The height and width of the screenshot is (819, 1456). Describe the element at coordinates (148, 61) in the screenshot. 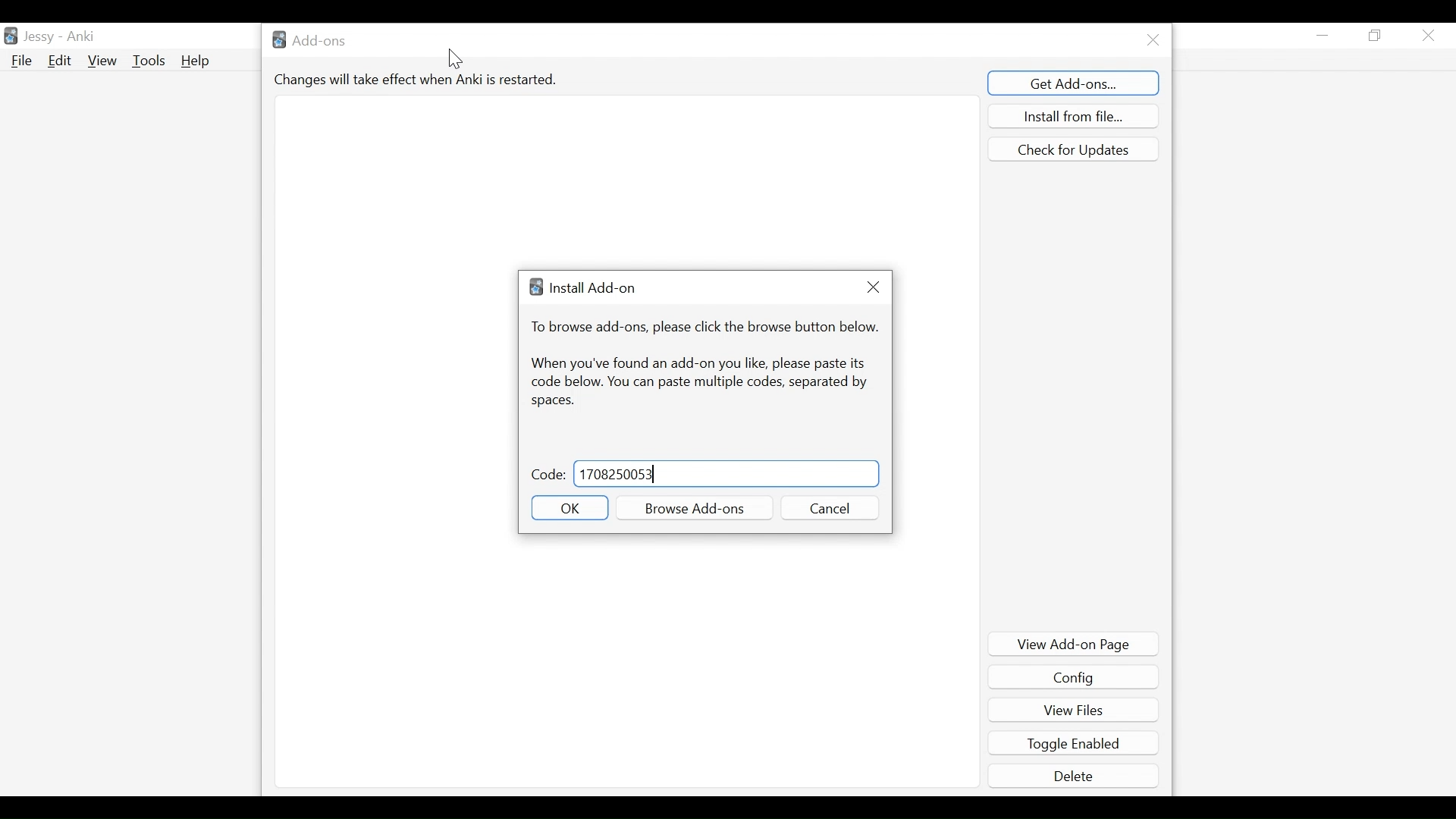

I see `Tools` at that location.